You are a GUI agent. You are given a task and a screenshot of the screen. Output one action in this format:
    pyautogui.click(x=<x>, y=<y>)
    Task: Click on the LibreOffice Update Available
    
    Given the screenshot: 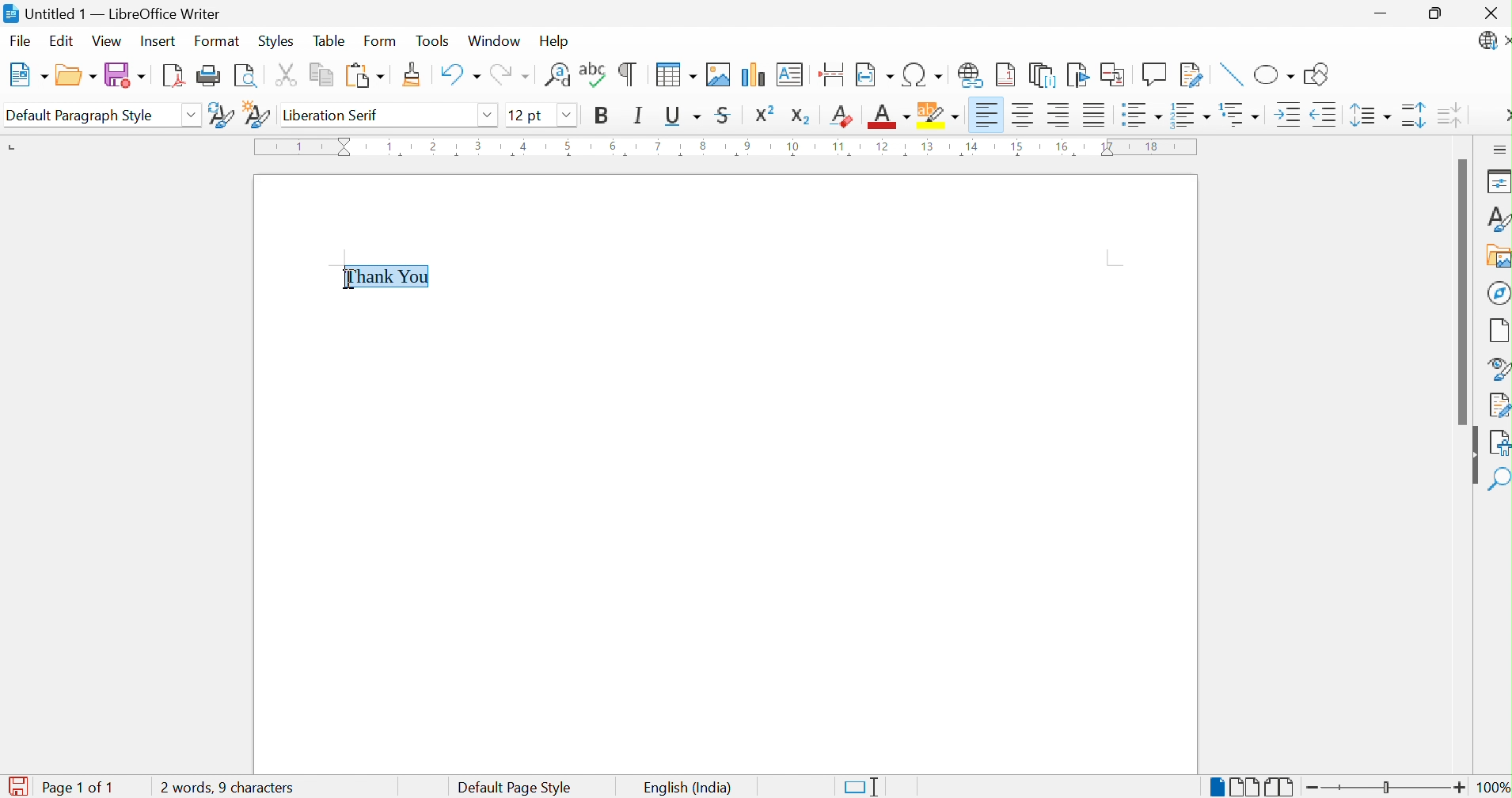 What is the action you would take?
    pyautogui.click(x=1493, y=43)
    